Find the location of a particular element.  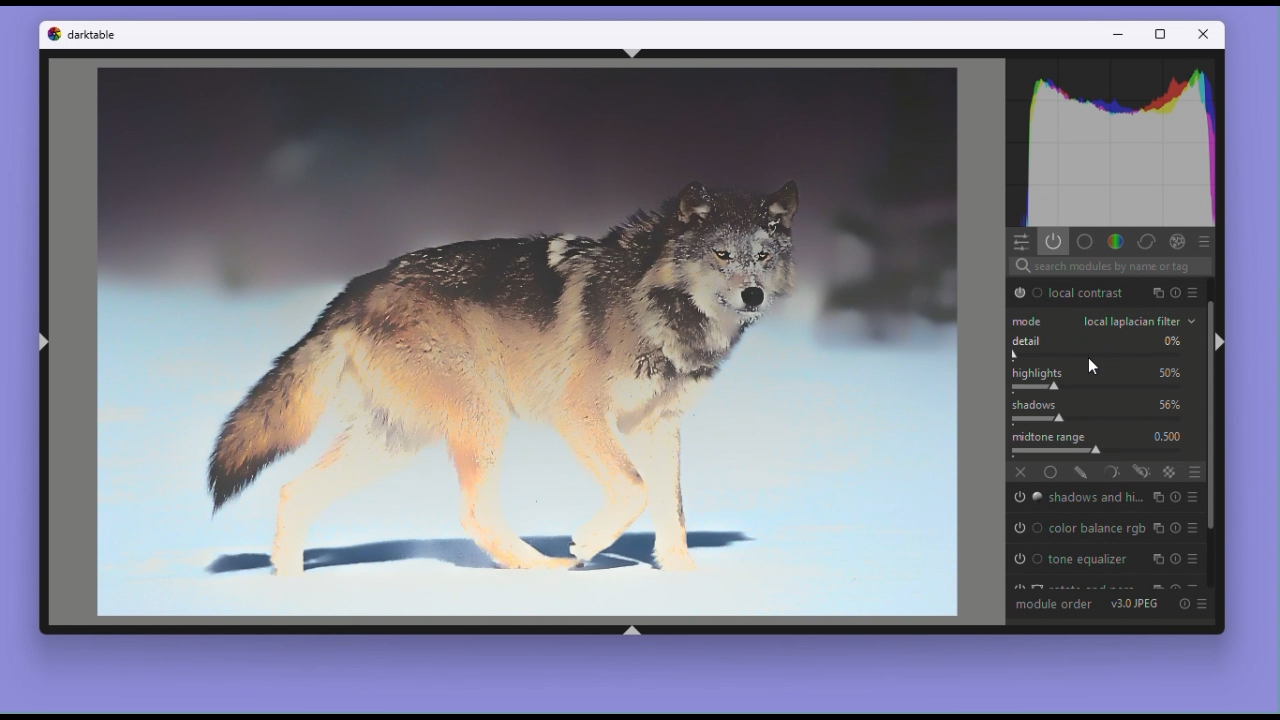

histogram is located at coordinates (1117, 141).